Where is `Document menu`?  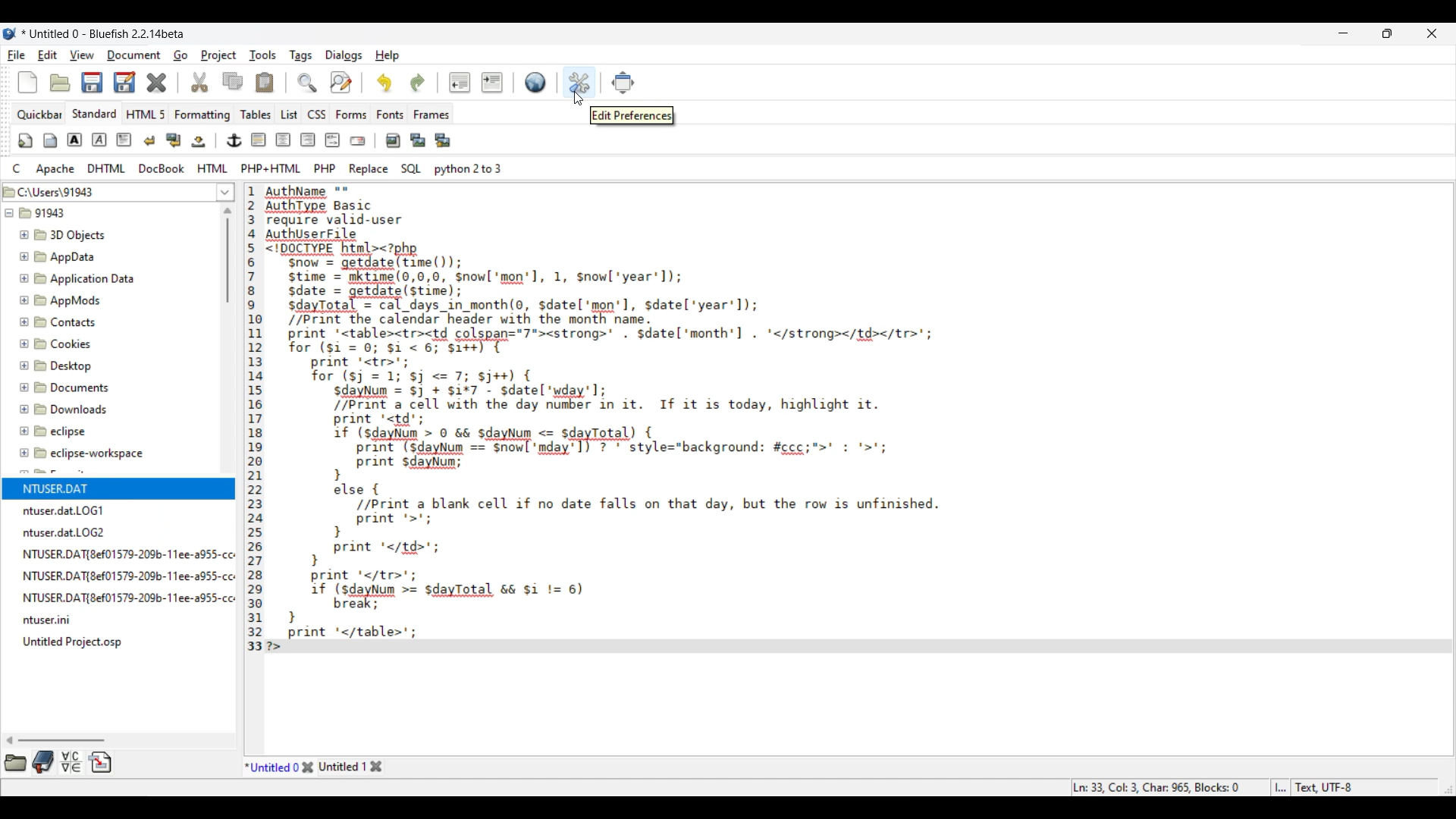
Document menu is located at coordinates (134, 55).